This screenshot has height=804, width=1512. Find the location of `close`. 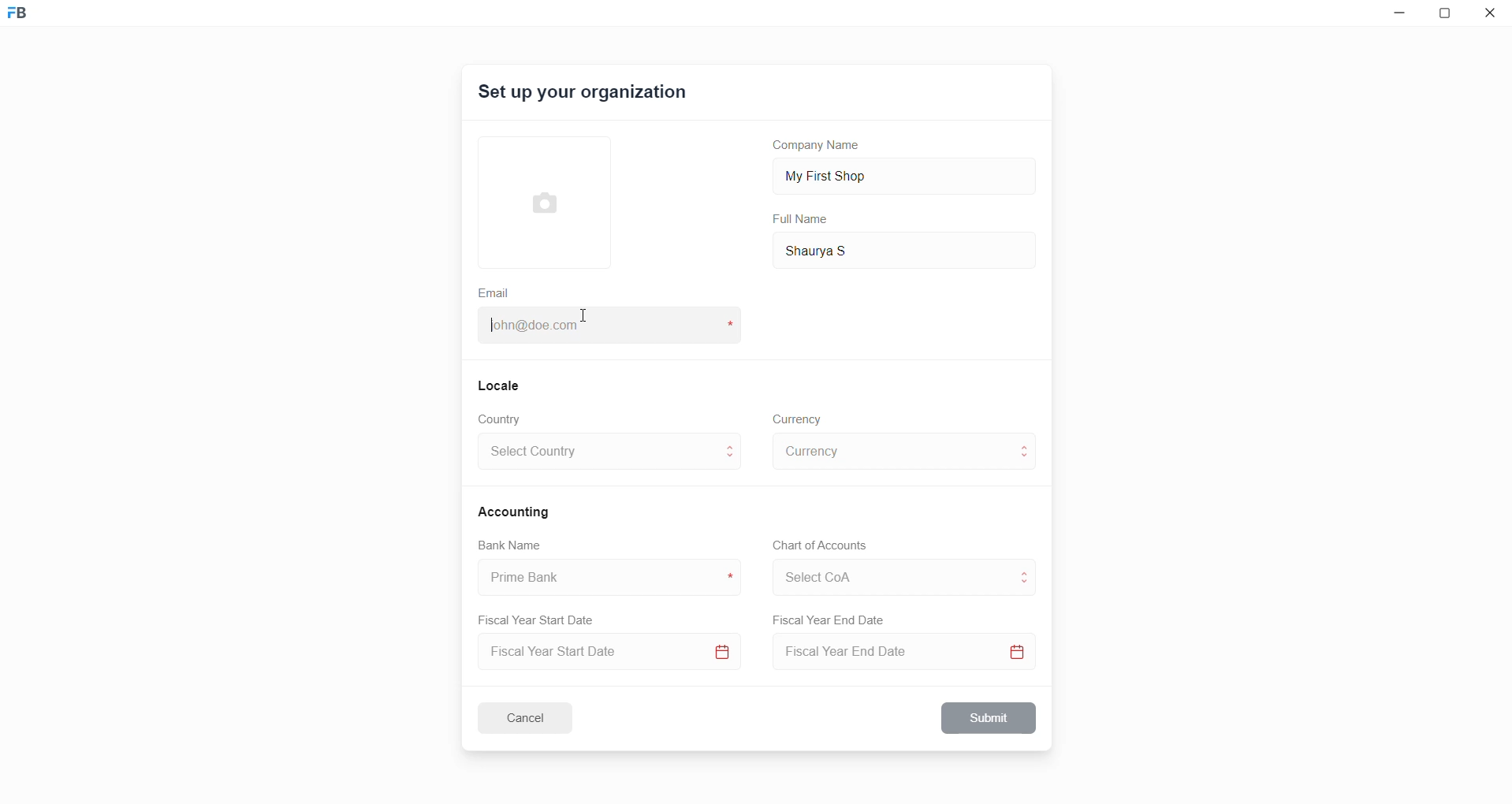

close is located at coordinates (1491, 16).